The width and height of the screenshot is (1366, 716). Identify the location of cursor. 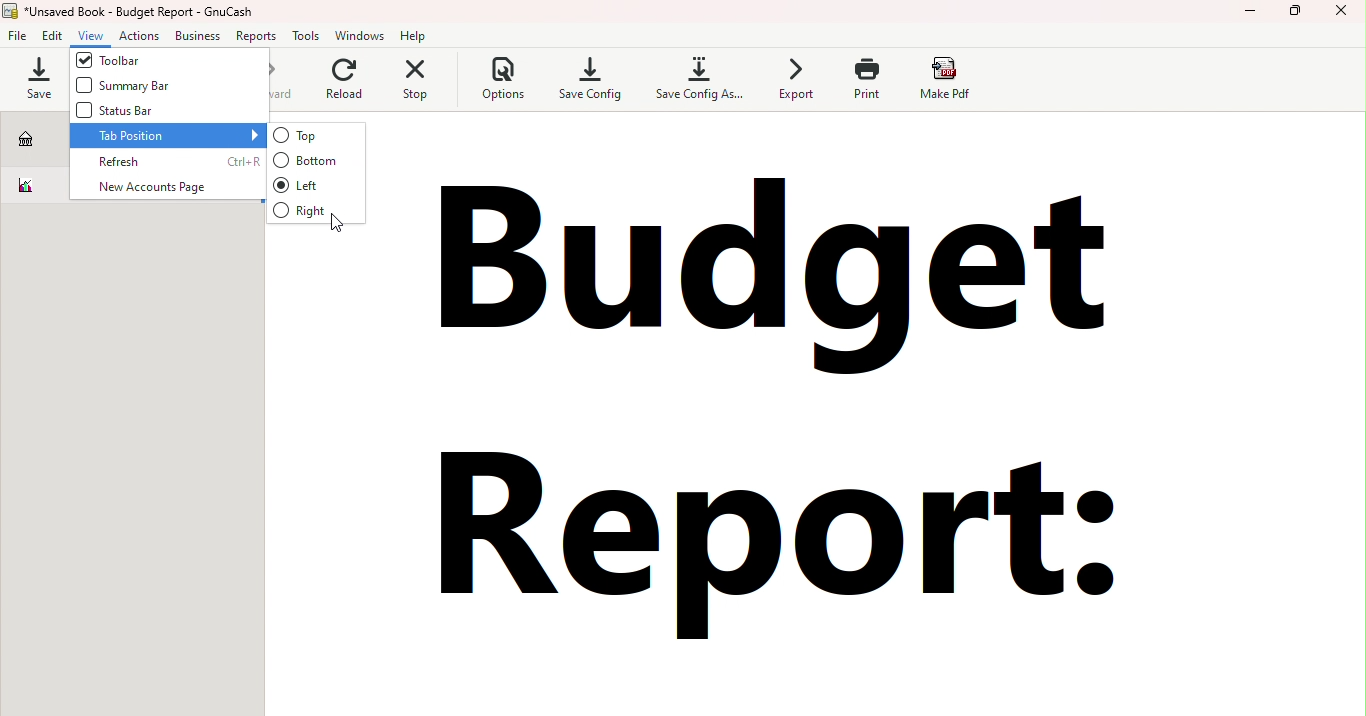
(333, 224).